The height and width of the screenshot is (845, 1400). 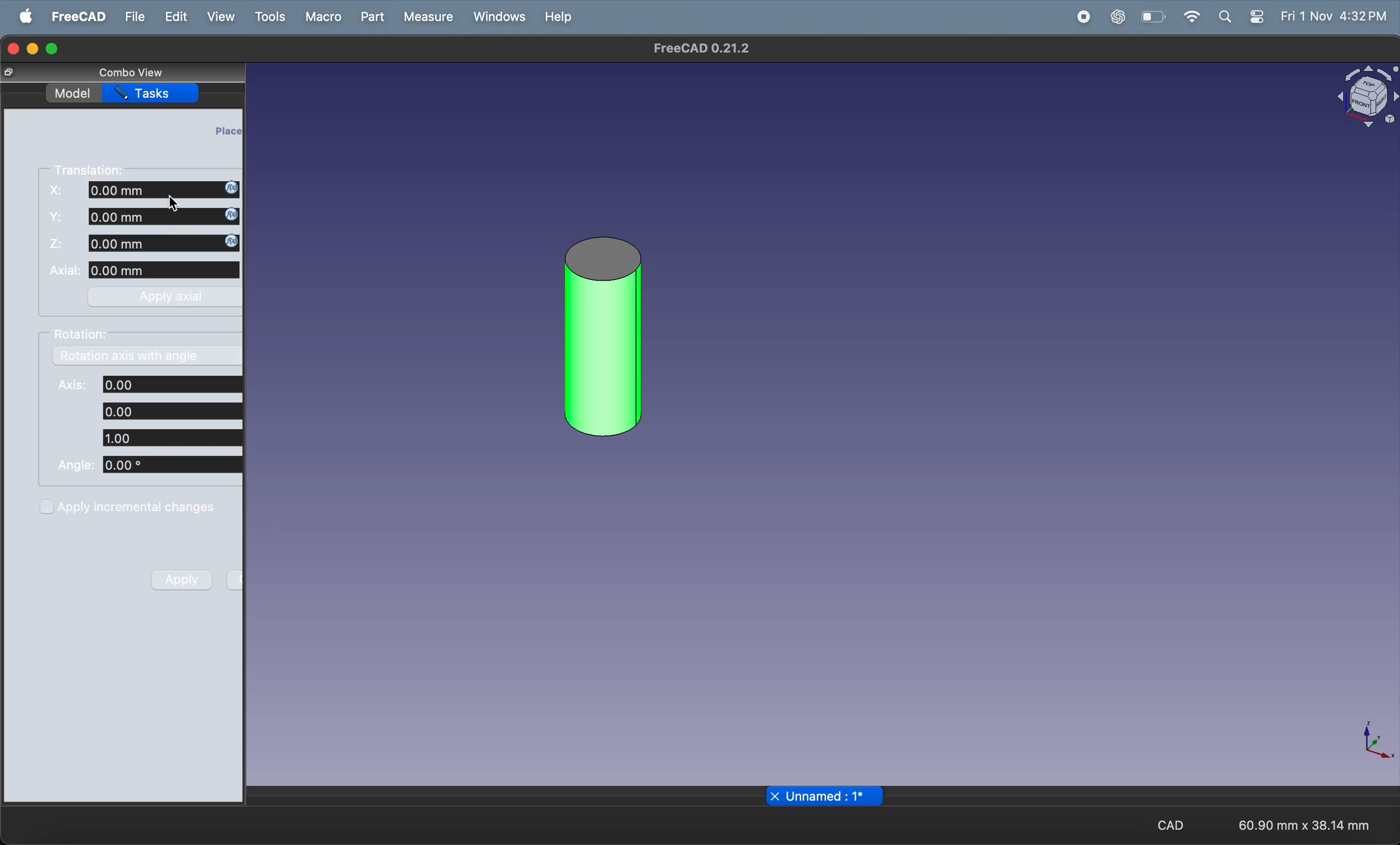 I want to click on X coordinate, so click(x=165, y=190).